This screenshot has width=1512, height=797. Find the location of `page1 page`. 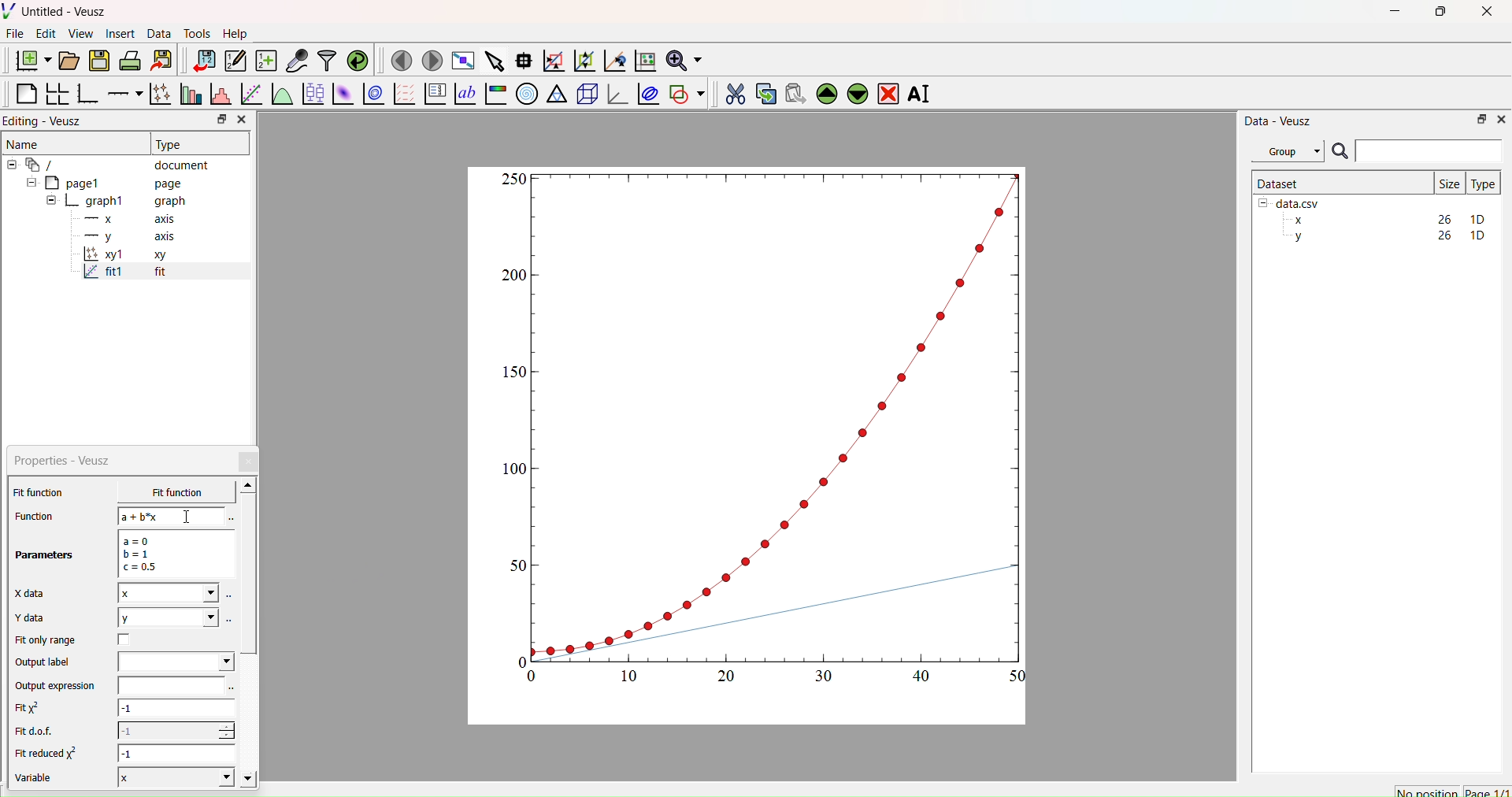

page1 page is located at coordinates (105, 182).